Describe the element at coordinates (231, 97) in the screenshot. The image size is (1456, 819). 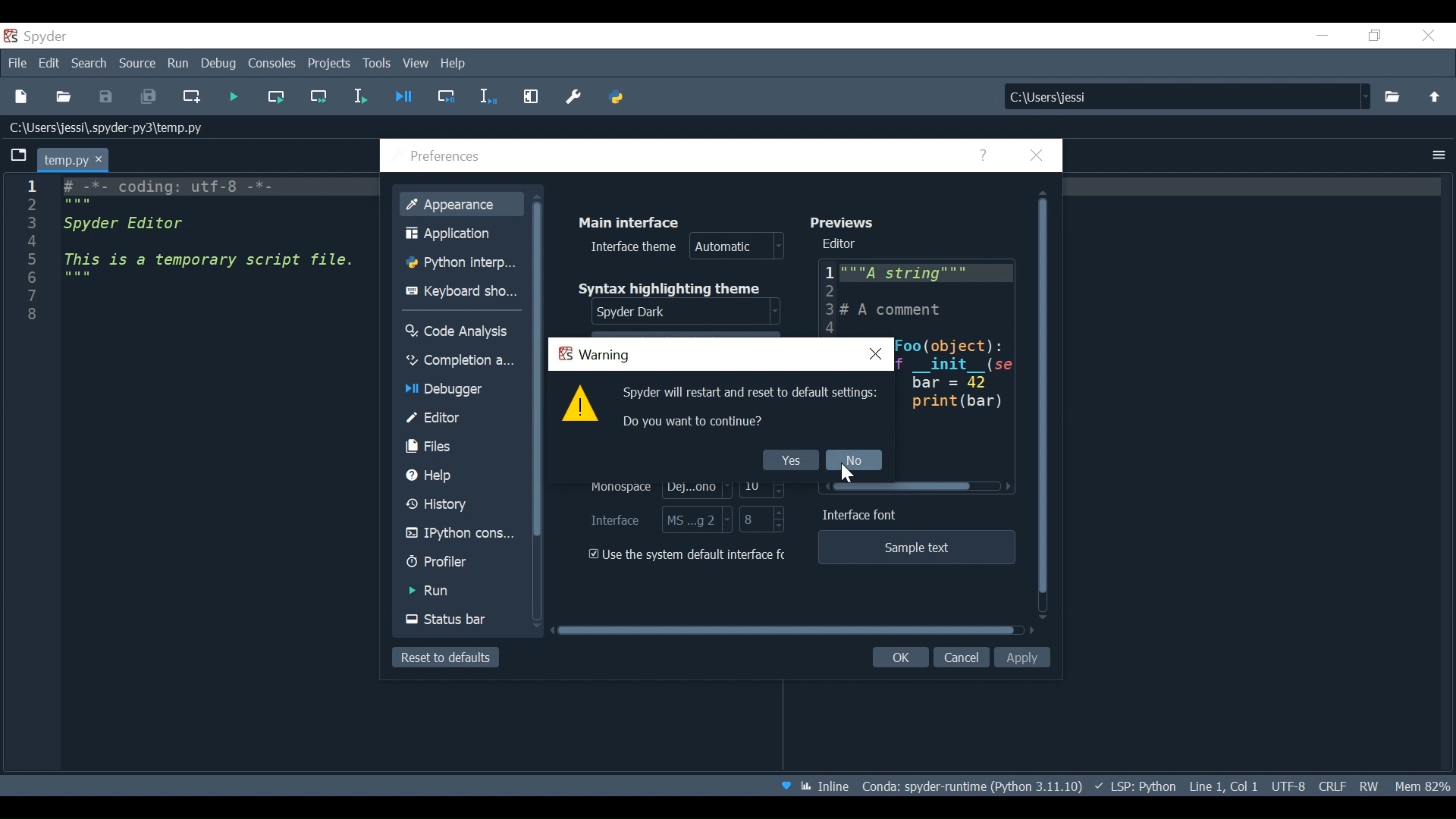
I see `Run file` at that location.